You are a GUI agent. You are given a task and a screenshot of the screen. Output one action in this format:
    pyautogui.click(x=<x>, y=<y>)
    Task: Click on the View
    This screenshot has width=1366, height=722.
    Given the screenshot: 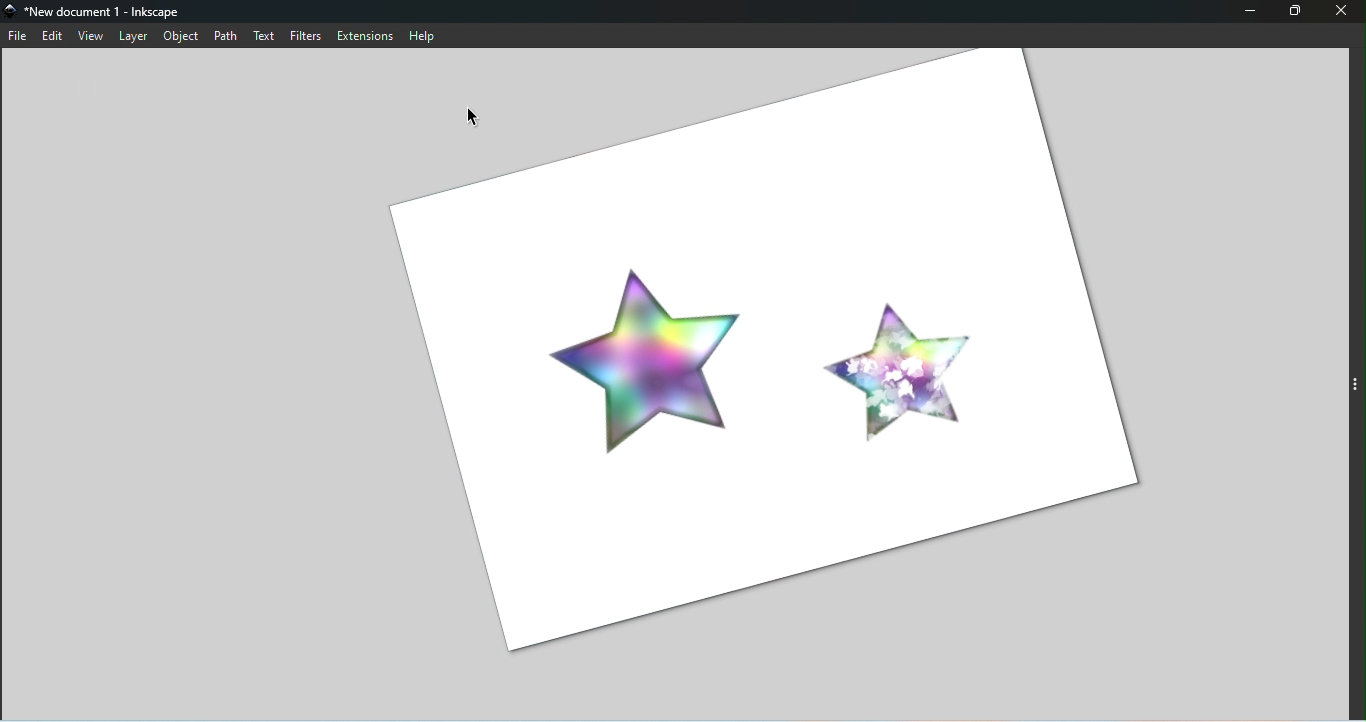 What is the action you would take?
    pyautogui.click(x=91, y=36)
    